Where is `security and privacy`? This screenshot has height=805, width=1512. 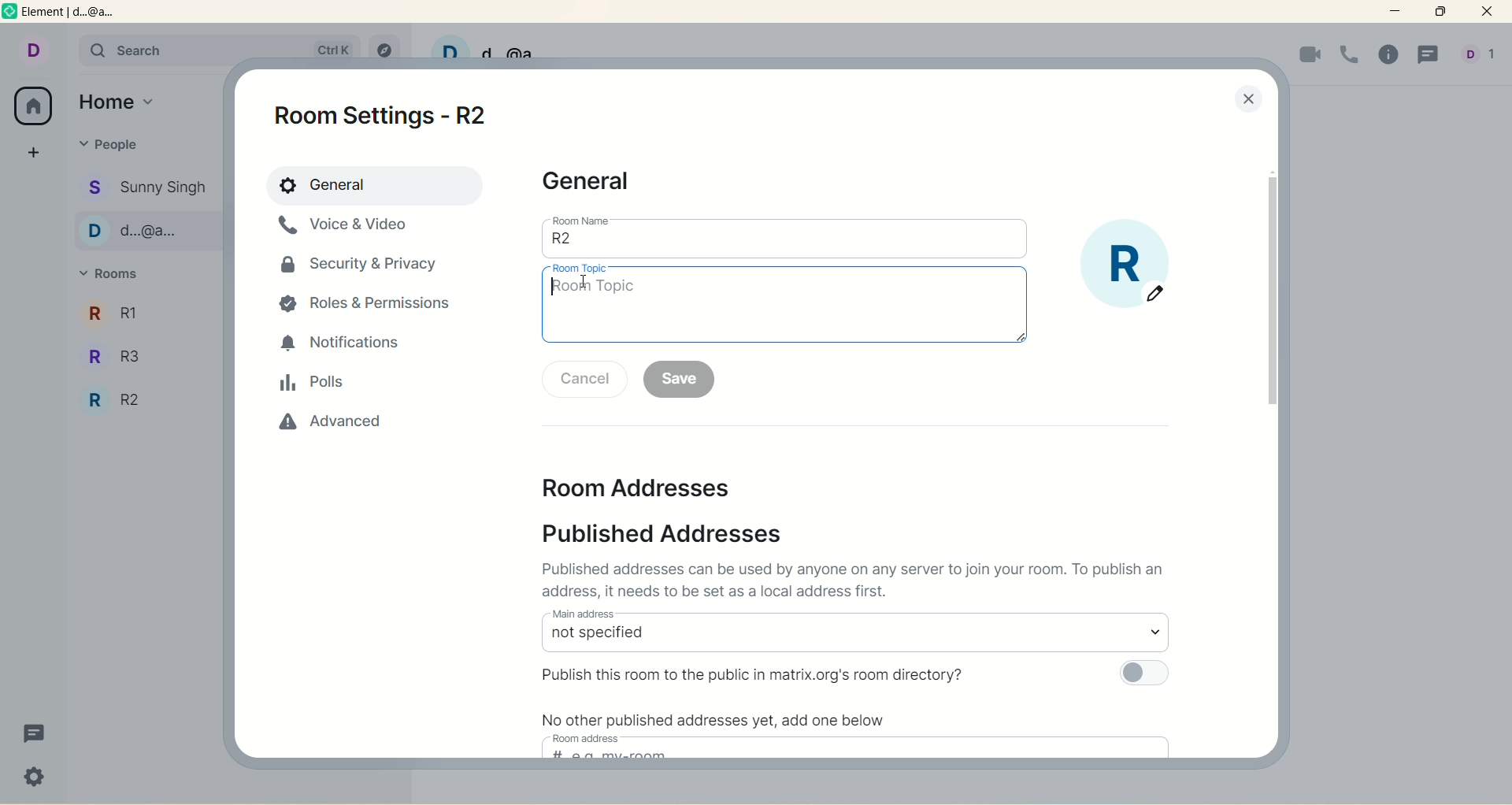
security and privacy is located at coordinates (361, 271).